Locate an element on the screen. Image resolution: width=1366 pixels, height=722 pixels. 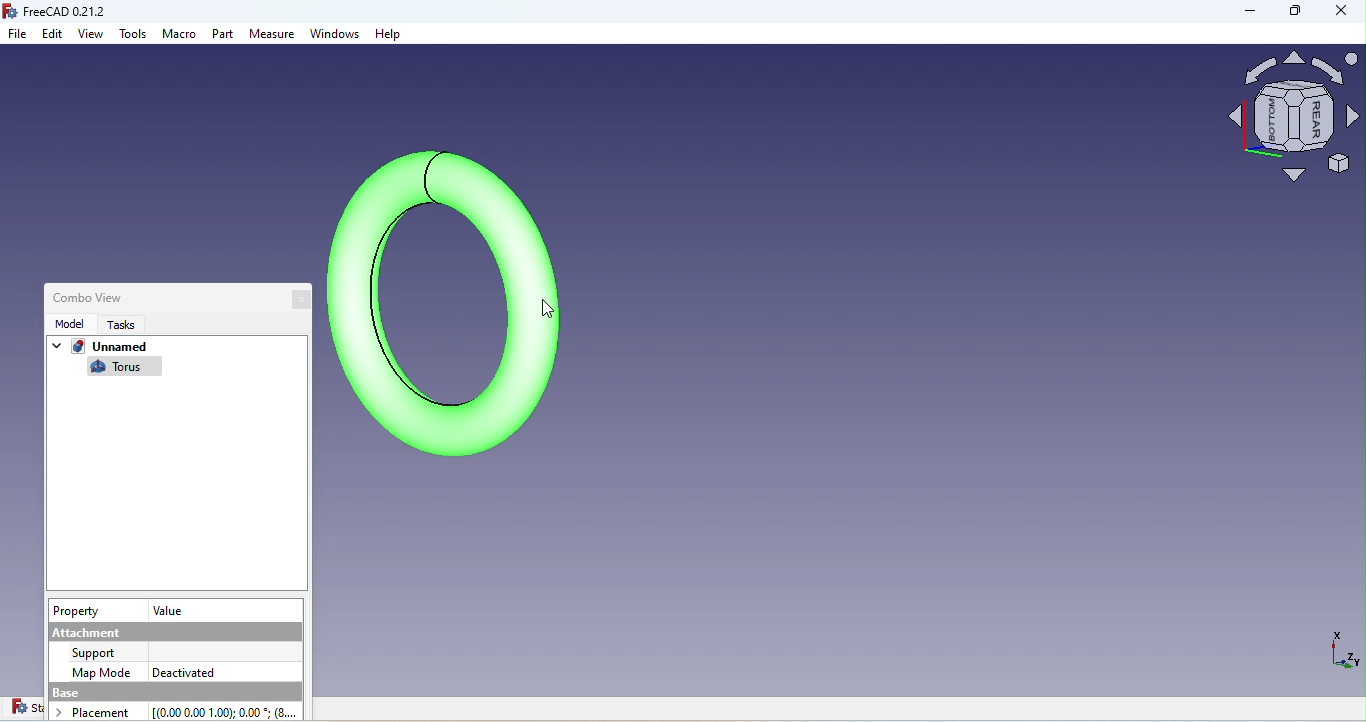
File is located at coordinates (19, 35).